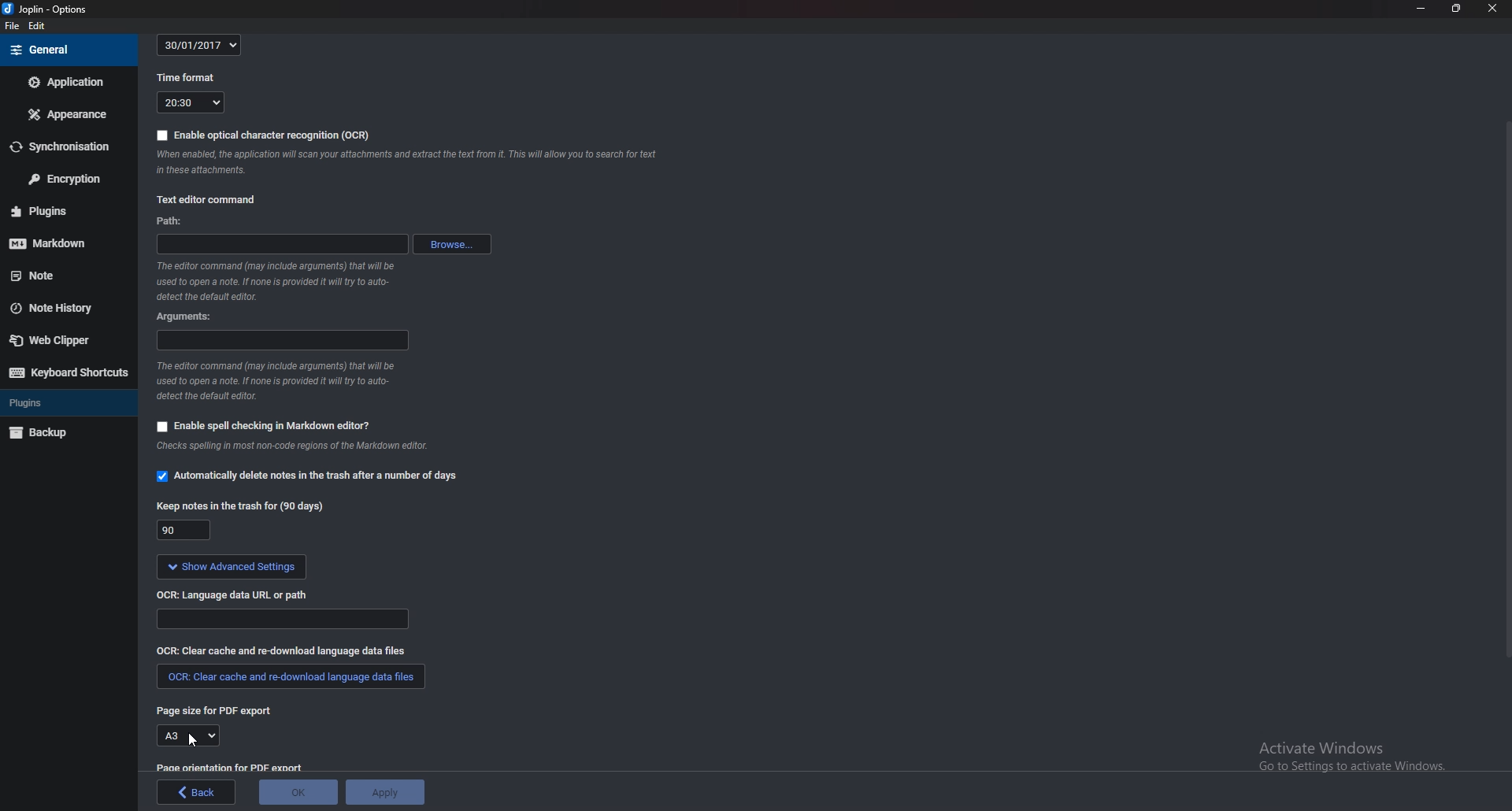  Describe the element at coordinates (1505, 394) in the screenshot. I see `Scroll bar` at that location.